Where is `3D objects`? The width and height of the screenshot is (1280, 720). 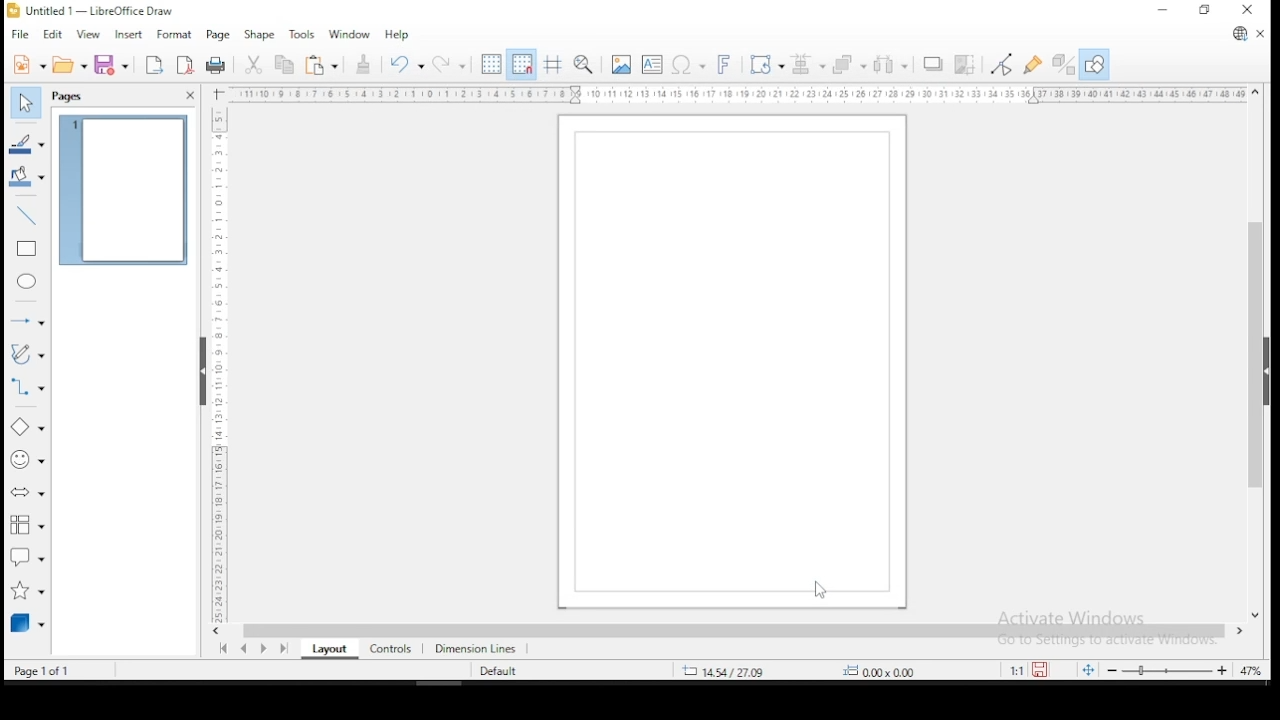
3D objects is located at coordinates (27, 624).